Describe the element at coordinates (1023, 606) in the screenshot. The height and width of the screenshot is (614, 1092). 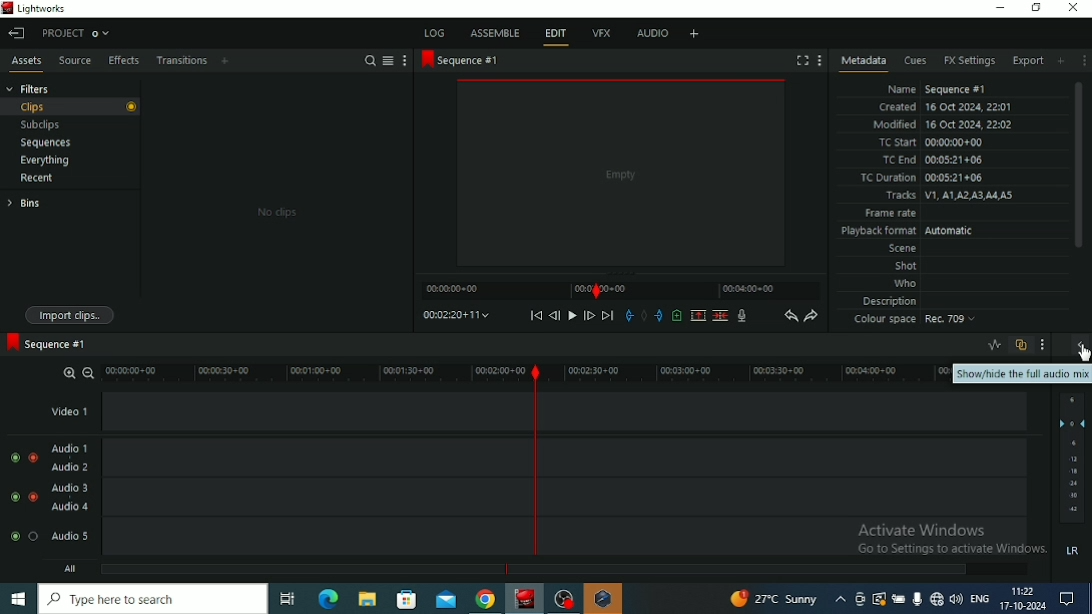
I see `Date` at that location.